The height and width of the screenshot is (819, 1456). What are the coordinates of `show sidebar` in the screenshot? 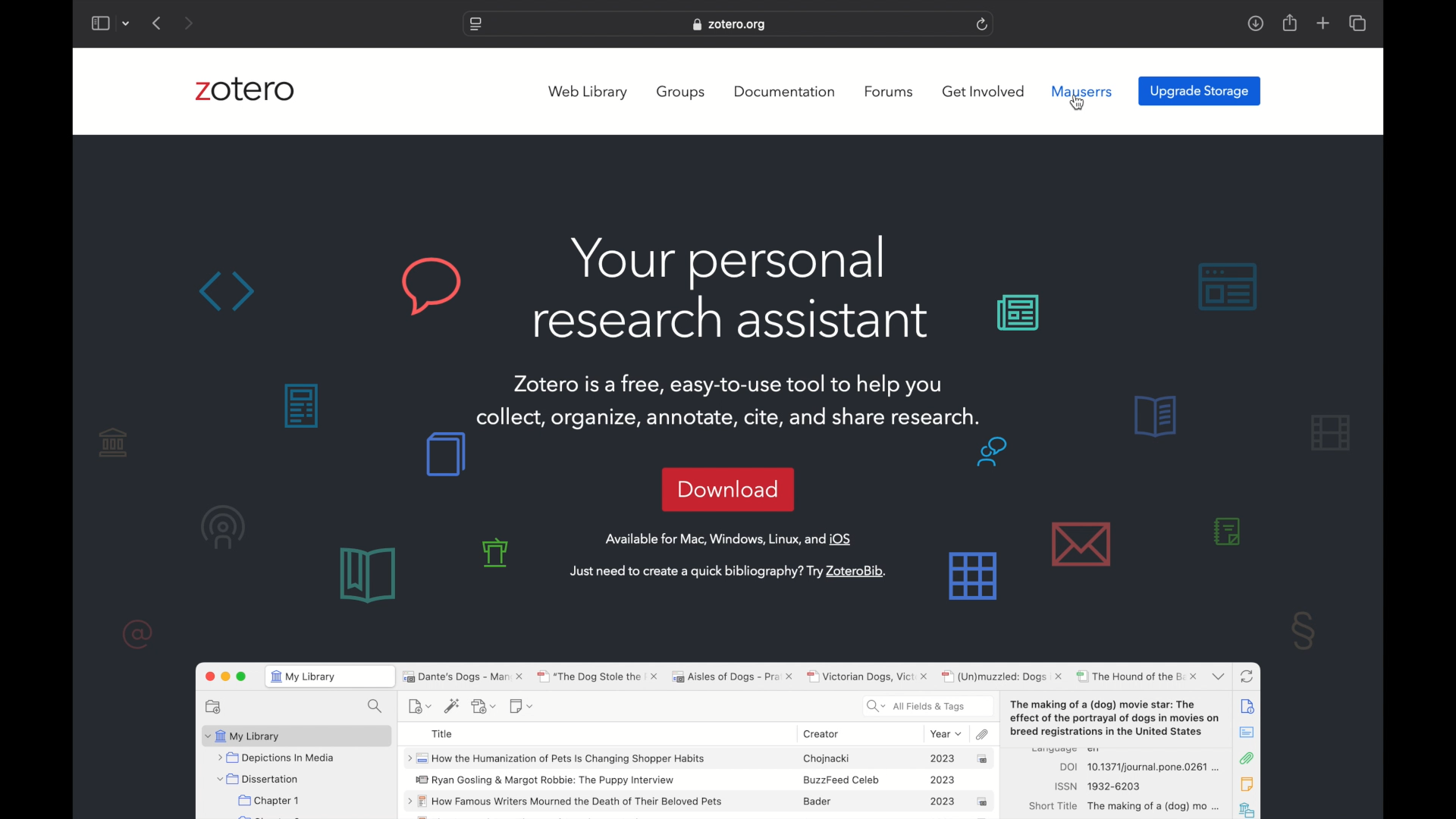 It's located at (101, 23).